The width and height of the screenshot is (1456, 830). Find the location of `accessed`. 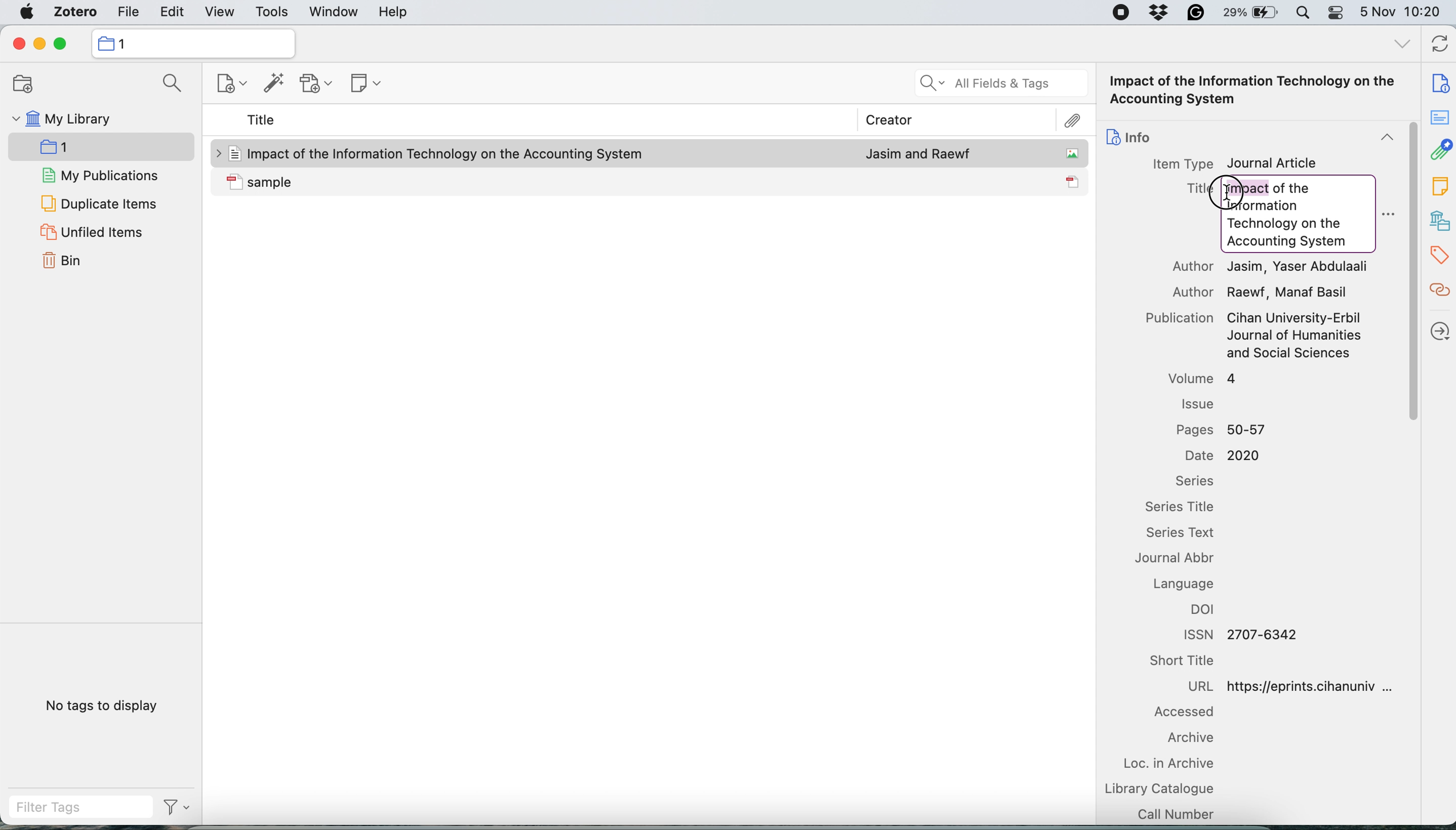

accessed is located at coordinates (1191, 711).